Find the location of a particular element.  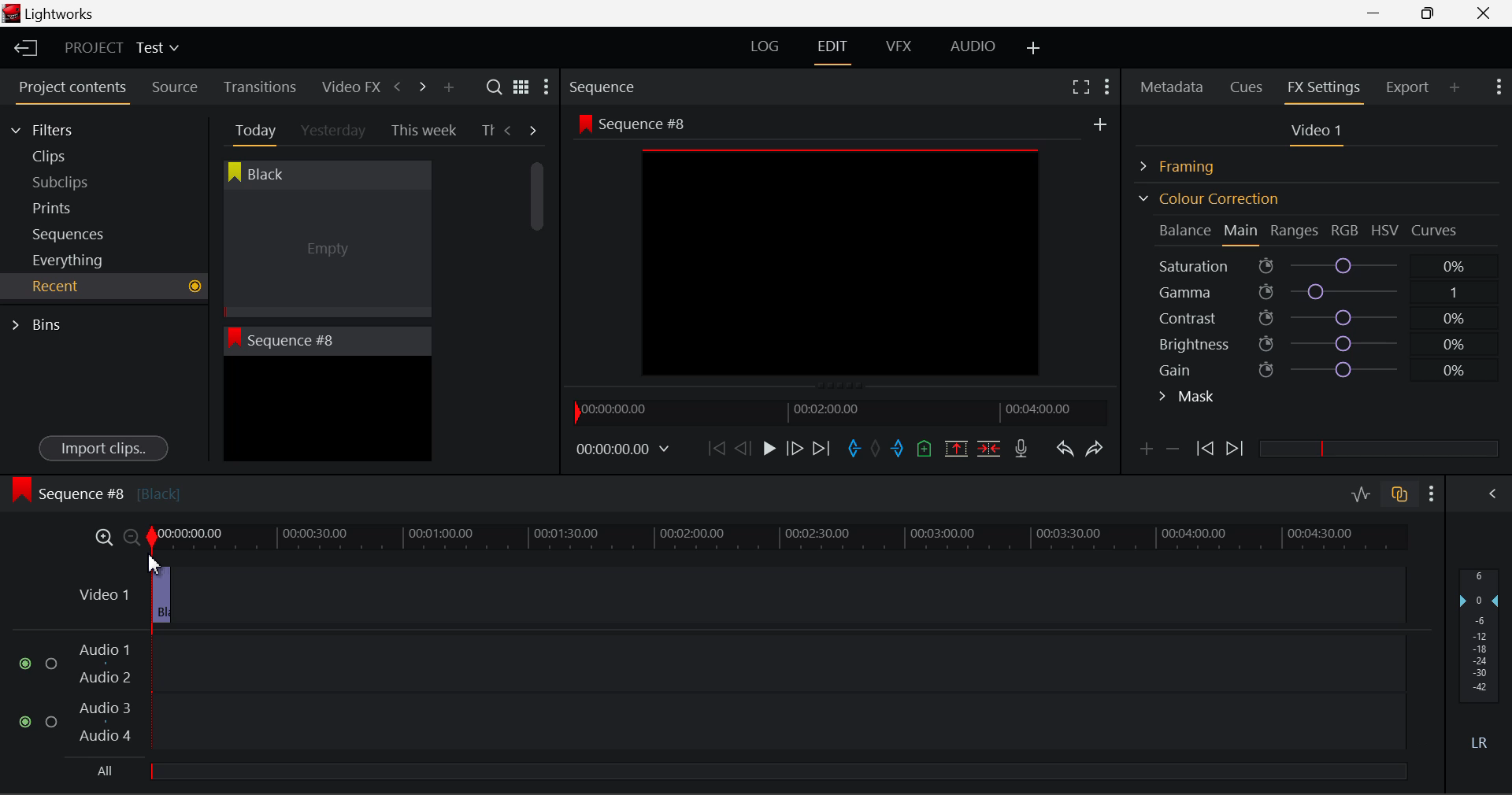

Filters is located at coordinates (57, 128).